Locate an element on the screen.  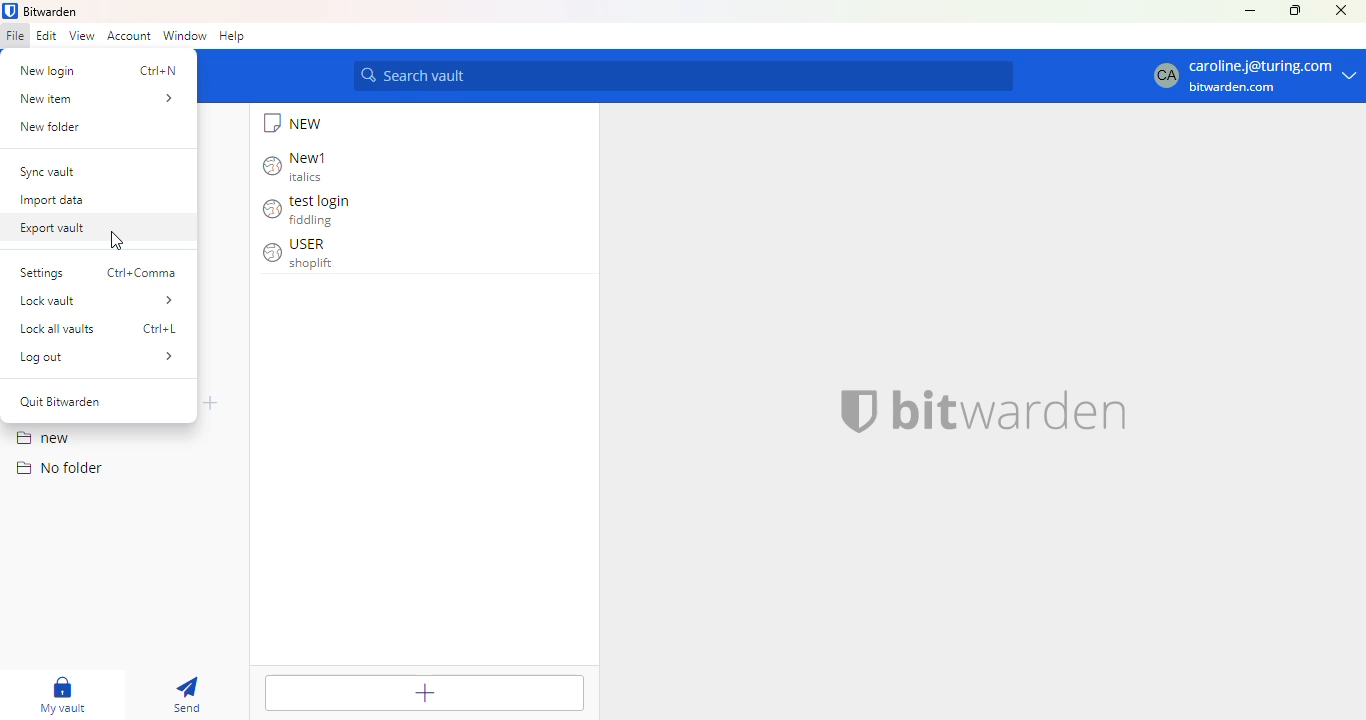
export vault is located at coordinates (100, 225).